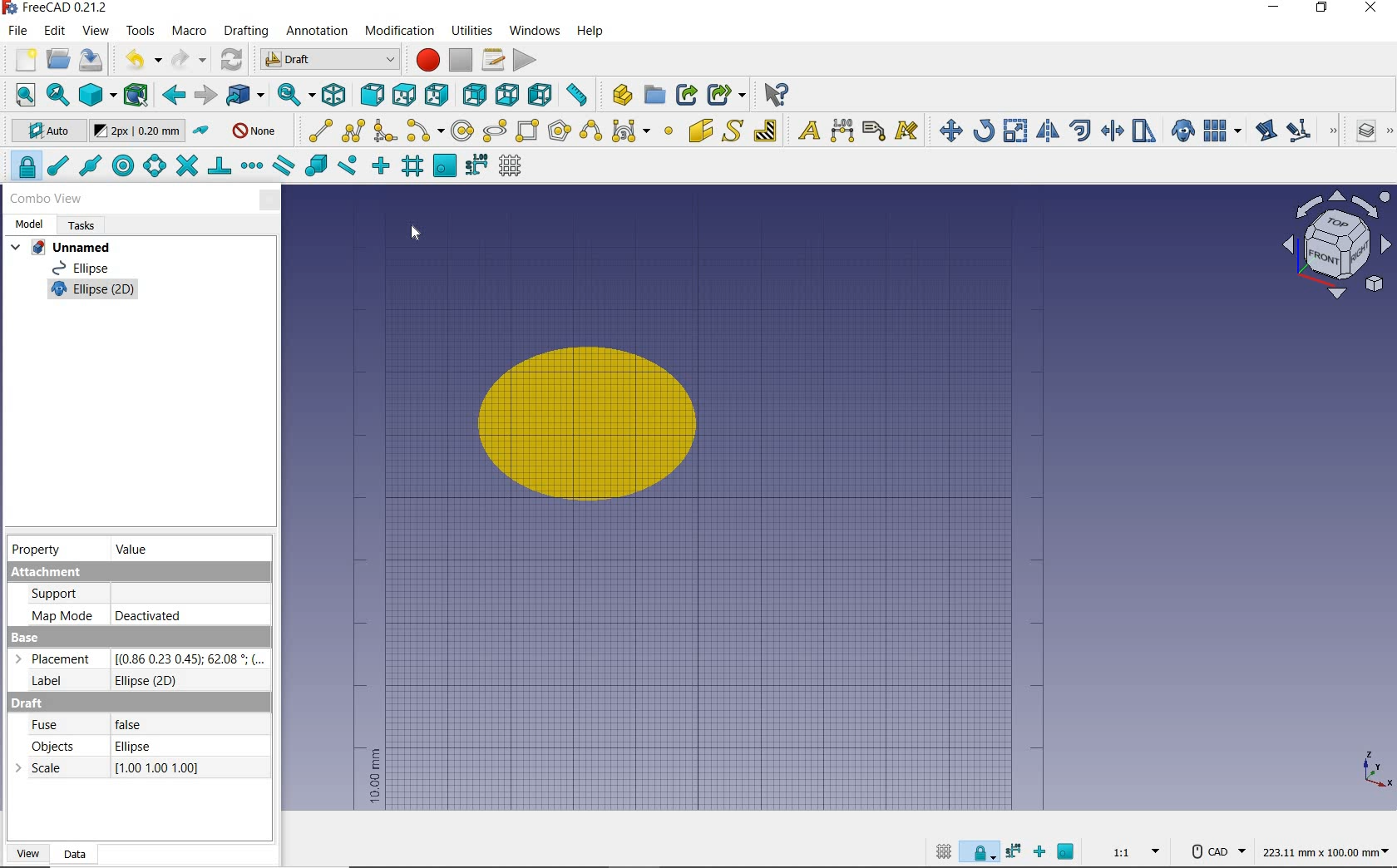 The height and width of the screenshot is (868, 1397). What do you see at coordinates (426, 131) in the screenshot?
I see `arc tools` at bounding box center [426, 131].